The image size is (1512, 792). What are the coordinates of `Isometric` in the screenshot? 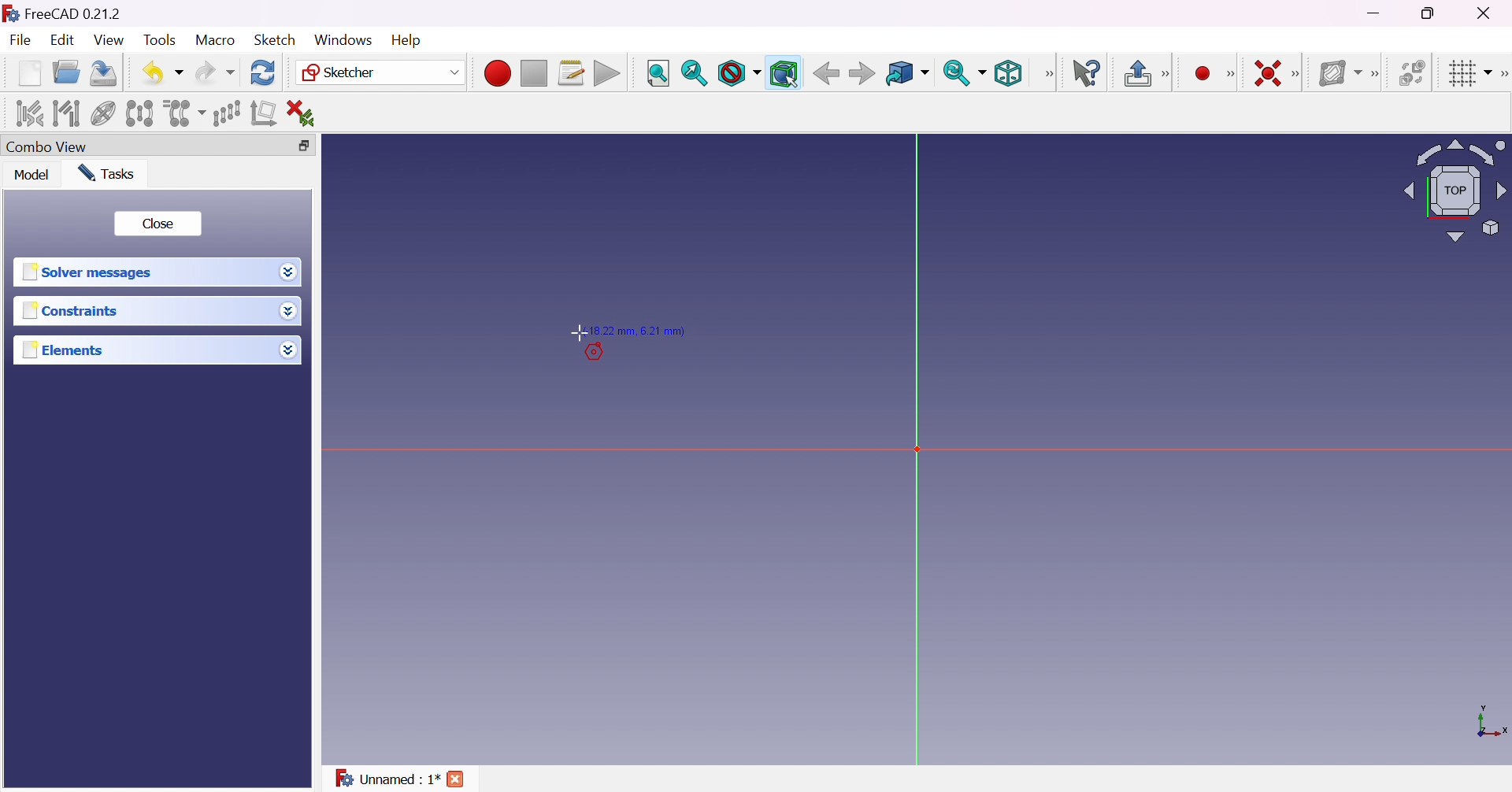 It's located at (1008, 72).